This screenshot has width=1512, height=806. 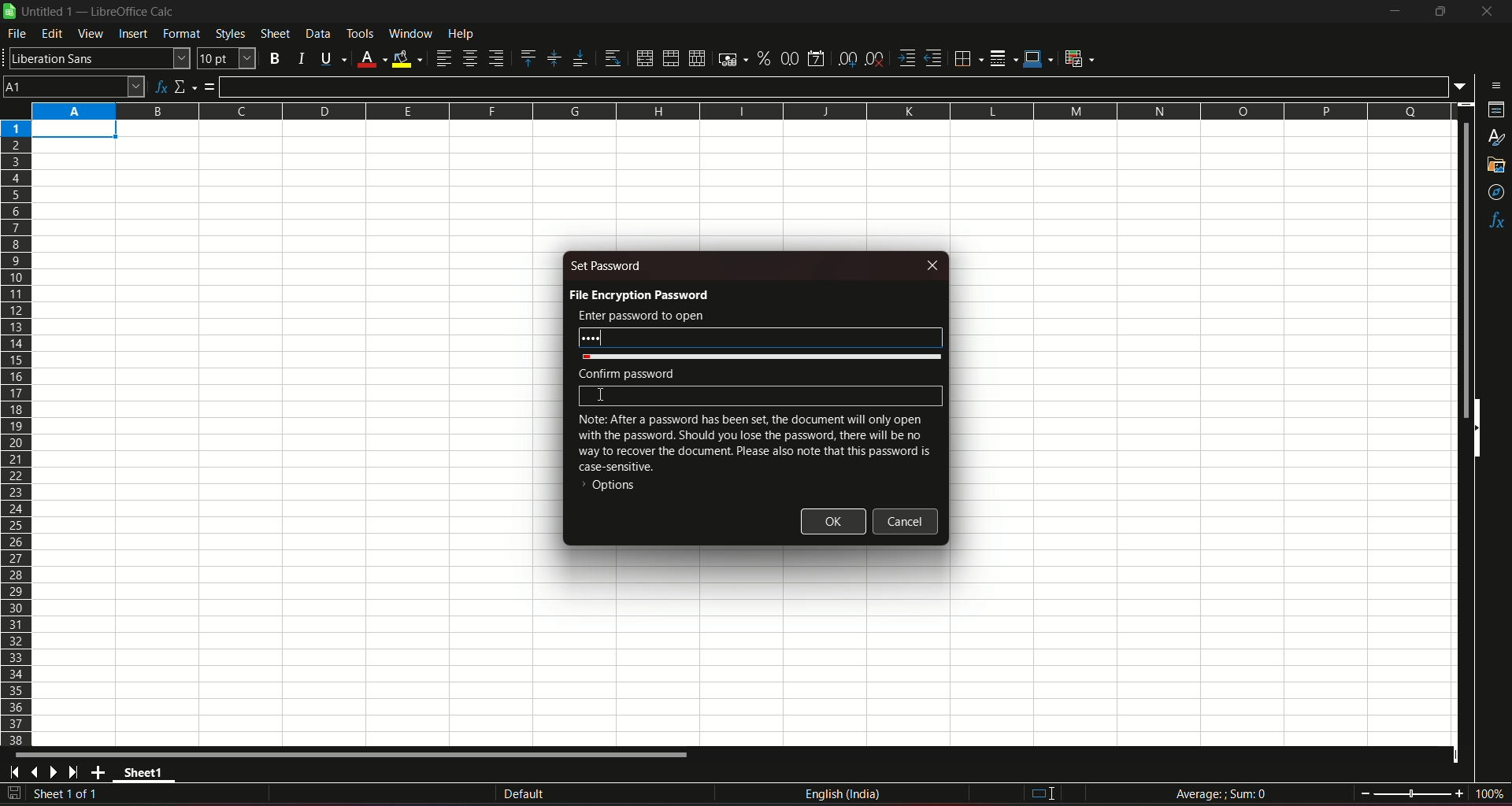 What do you see at coordinates (159, 85) in the screenshot?
I see `function wizard` at bounding box center [159, 85].